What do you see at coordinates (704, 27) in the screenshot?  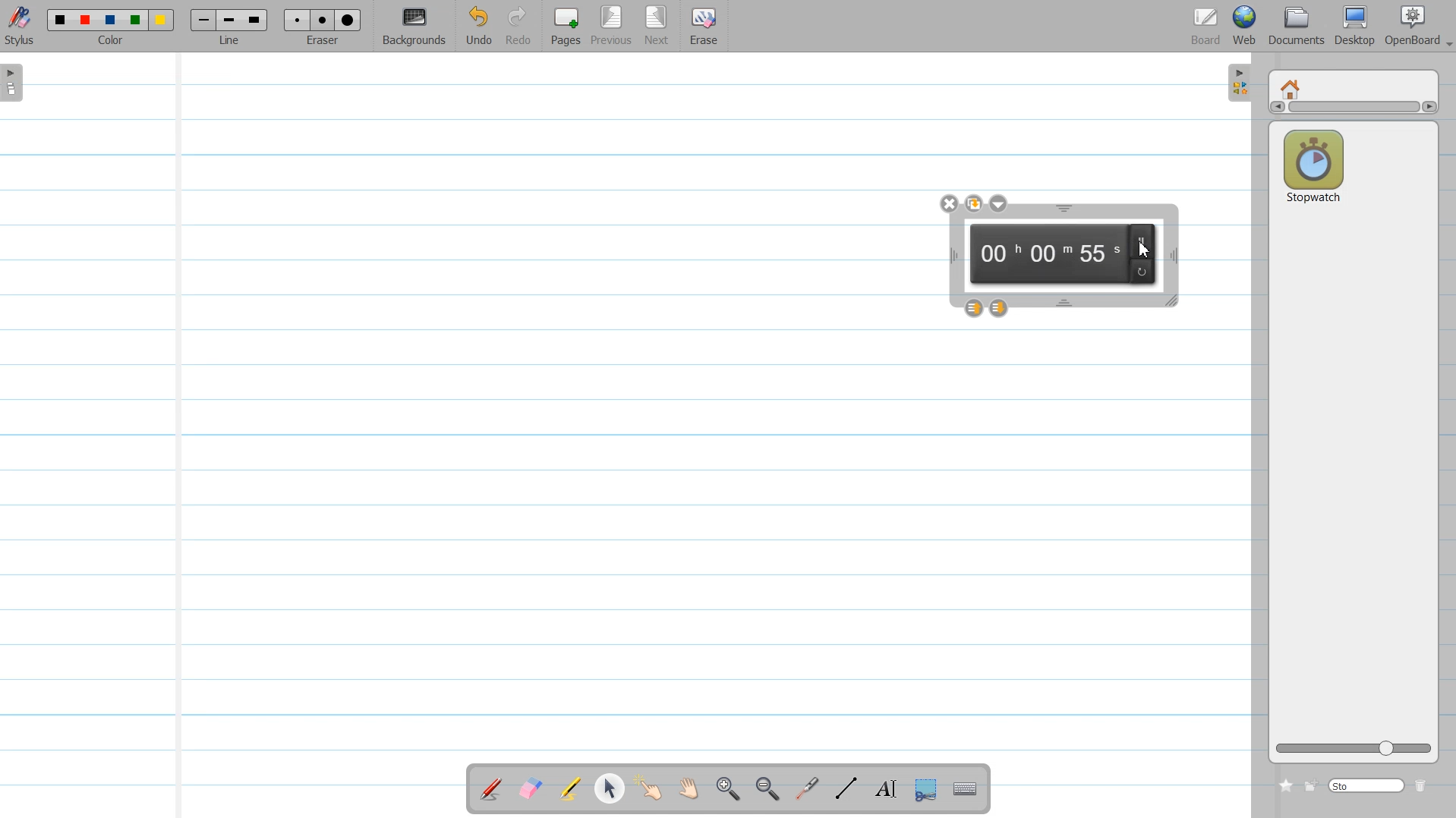 I see `Erase` at bounding box center [704, 27].